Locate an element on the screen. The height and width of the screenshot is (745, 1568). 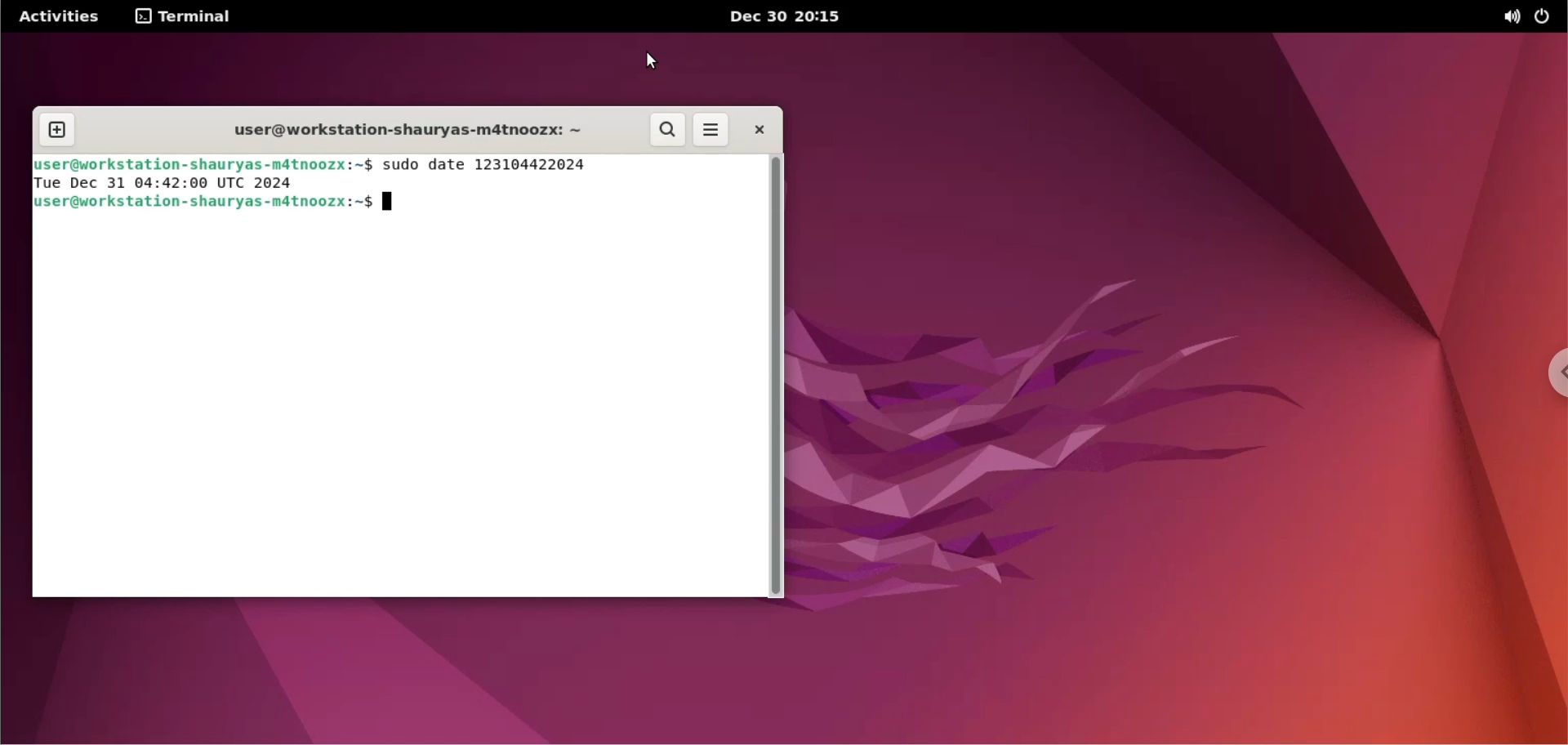
dec 30 2015 is located at coordinates (791, 16).